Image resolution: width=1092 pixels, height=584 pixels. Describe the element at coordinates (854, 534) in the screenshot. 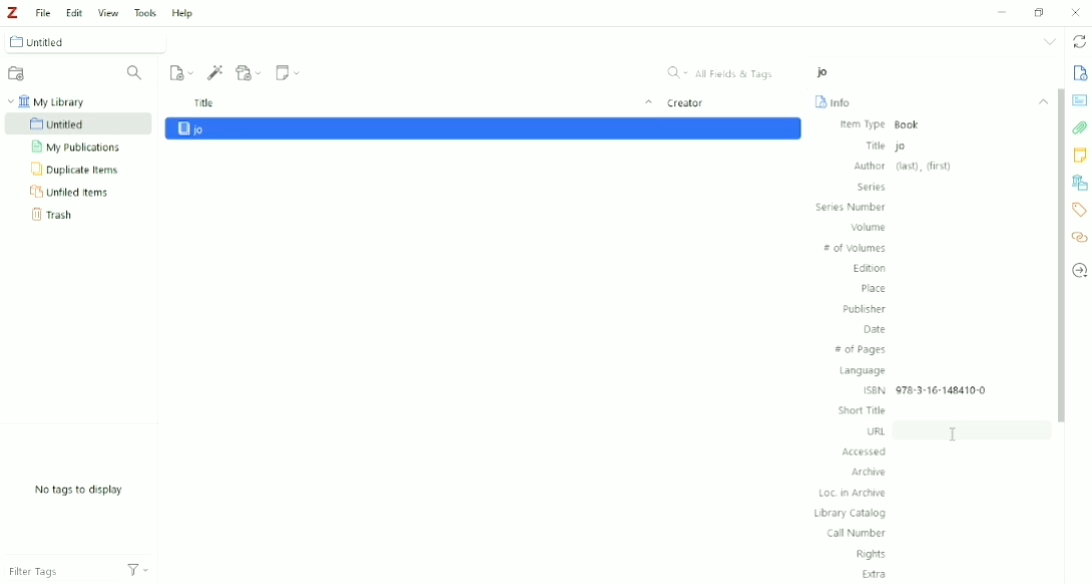

I see `Call Number` at that location.